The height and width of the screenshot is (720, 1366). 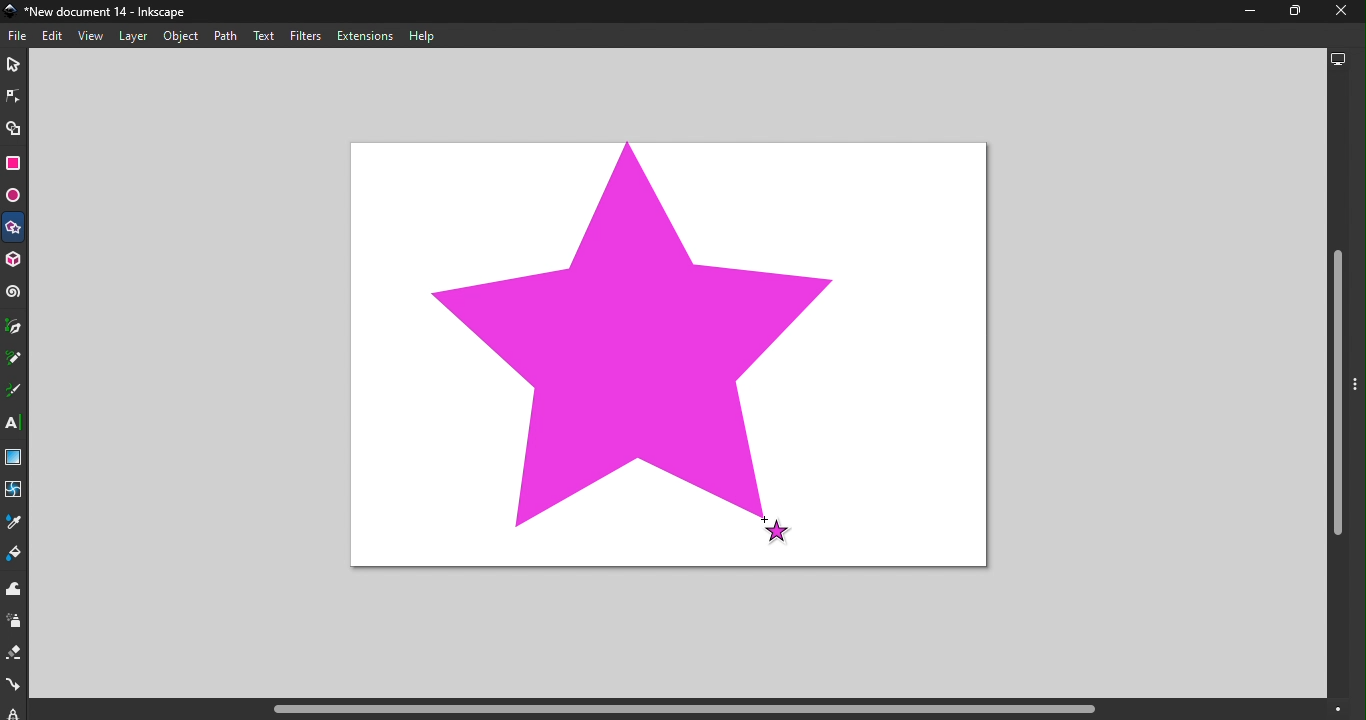 I want to click on Rectangle tool, so click(x=13, y=165).